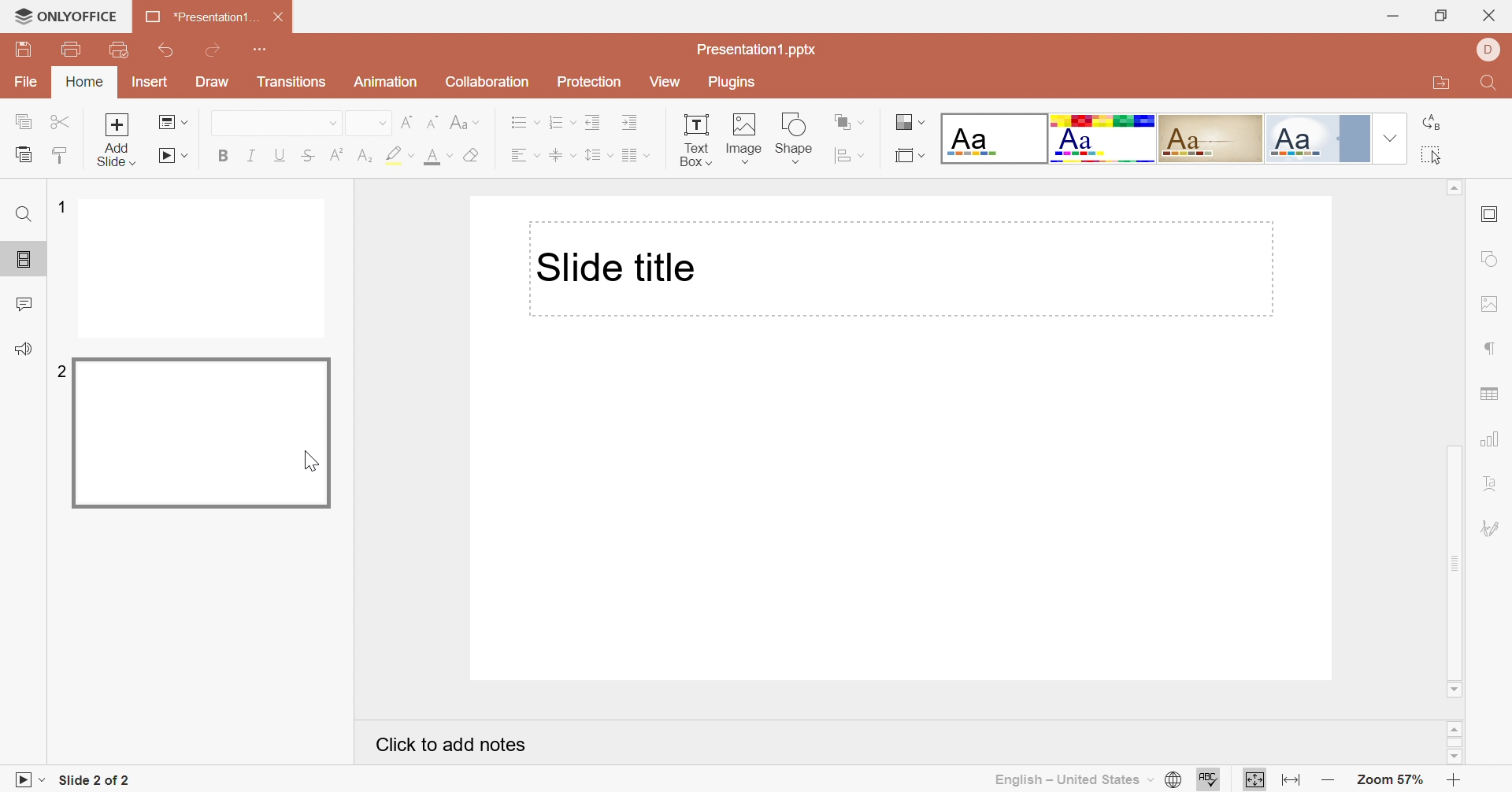  What do you see at coordinates (385, 80) in the screenshot?
I see `Animation` at bounding box center [385, 80].